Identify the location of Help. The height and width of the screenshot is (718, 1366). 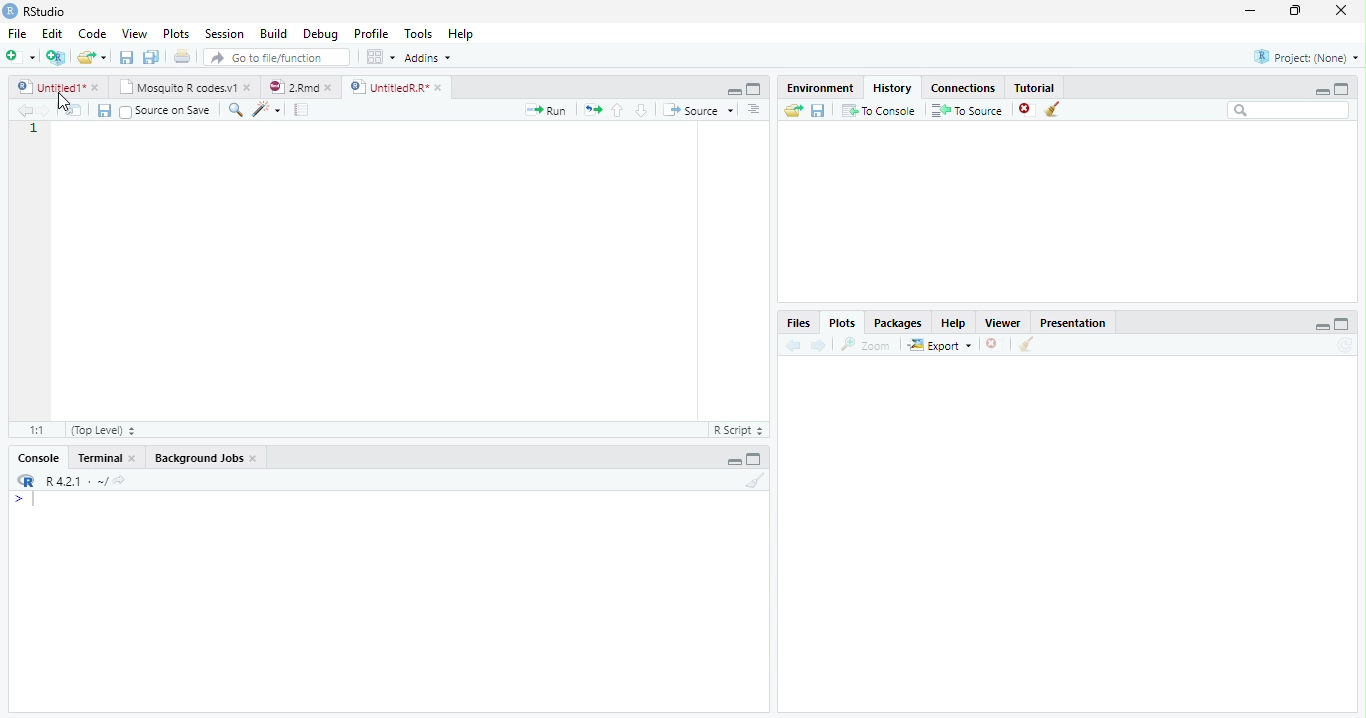
(954, 323).